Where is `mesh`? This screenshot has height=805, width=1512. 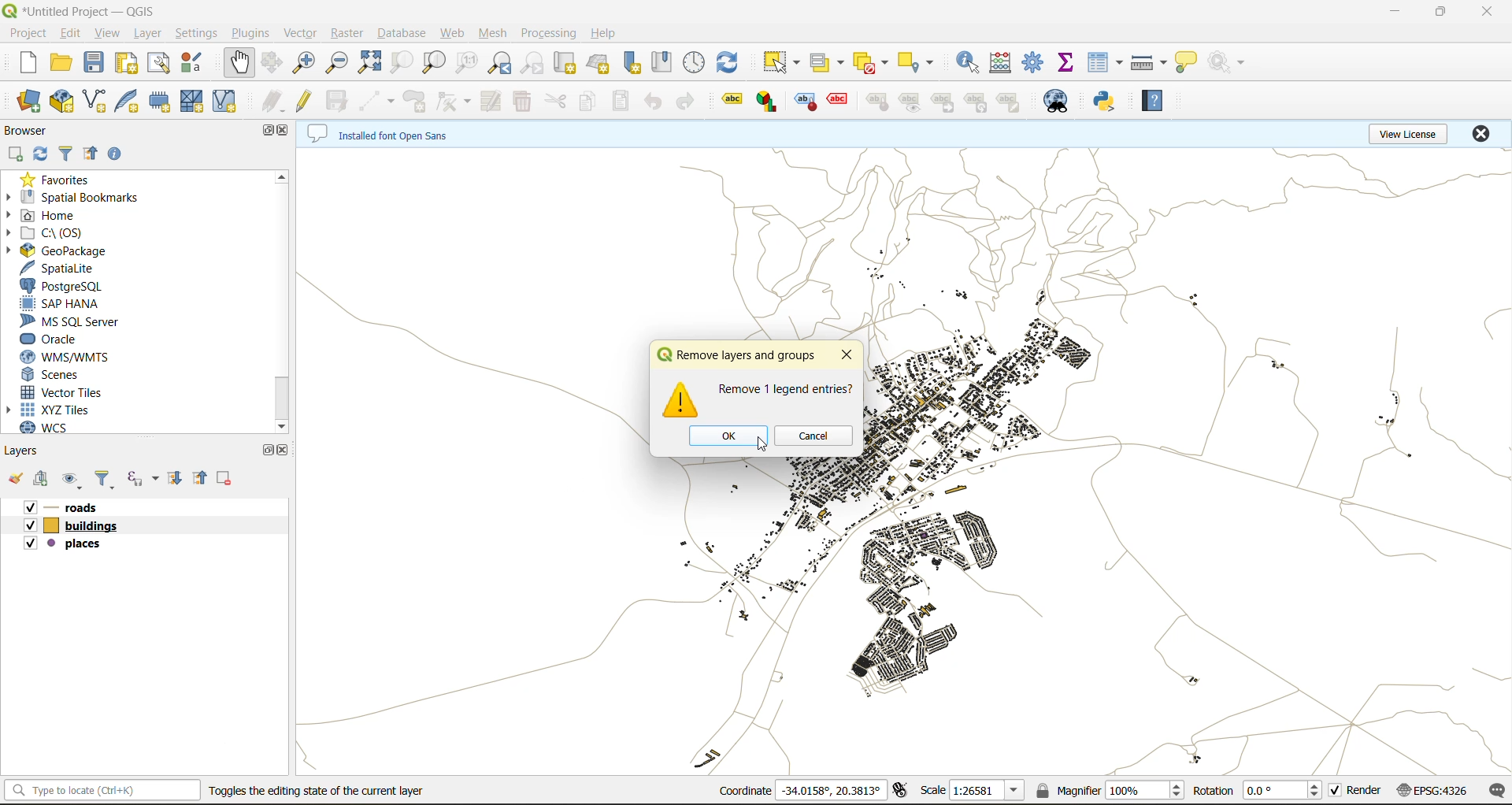 mesh is located at coordinates (494, 32).